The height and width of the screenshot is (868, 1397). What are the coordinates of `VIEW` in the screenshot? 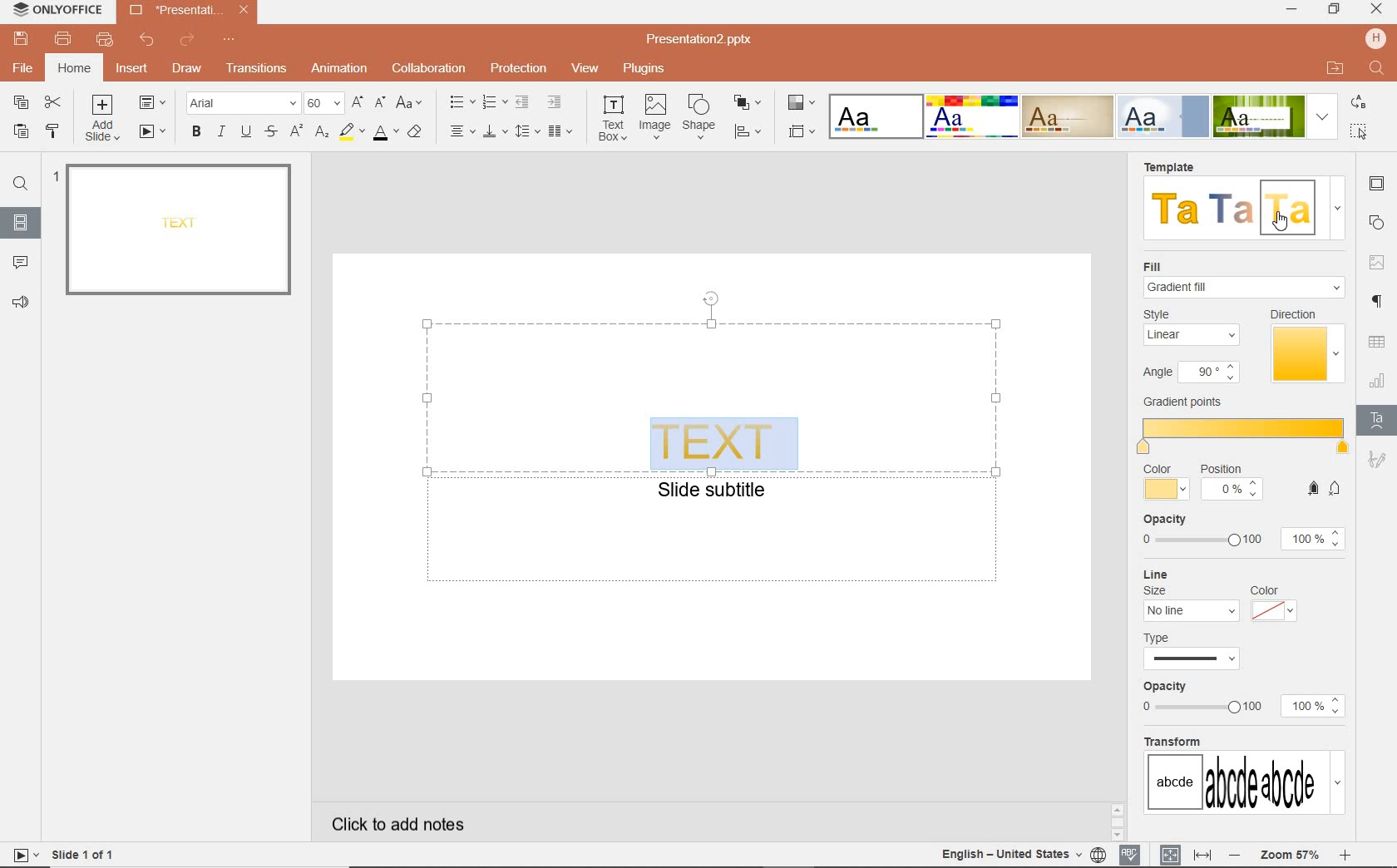 It's located at (586, 70).